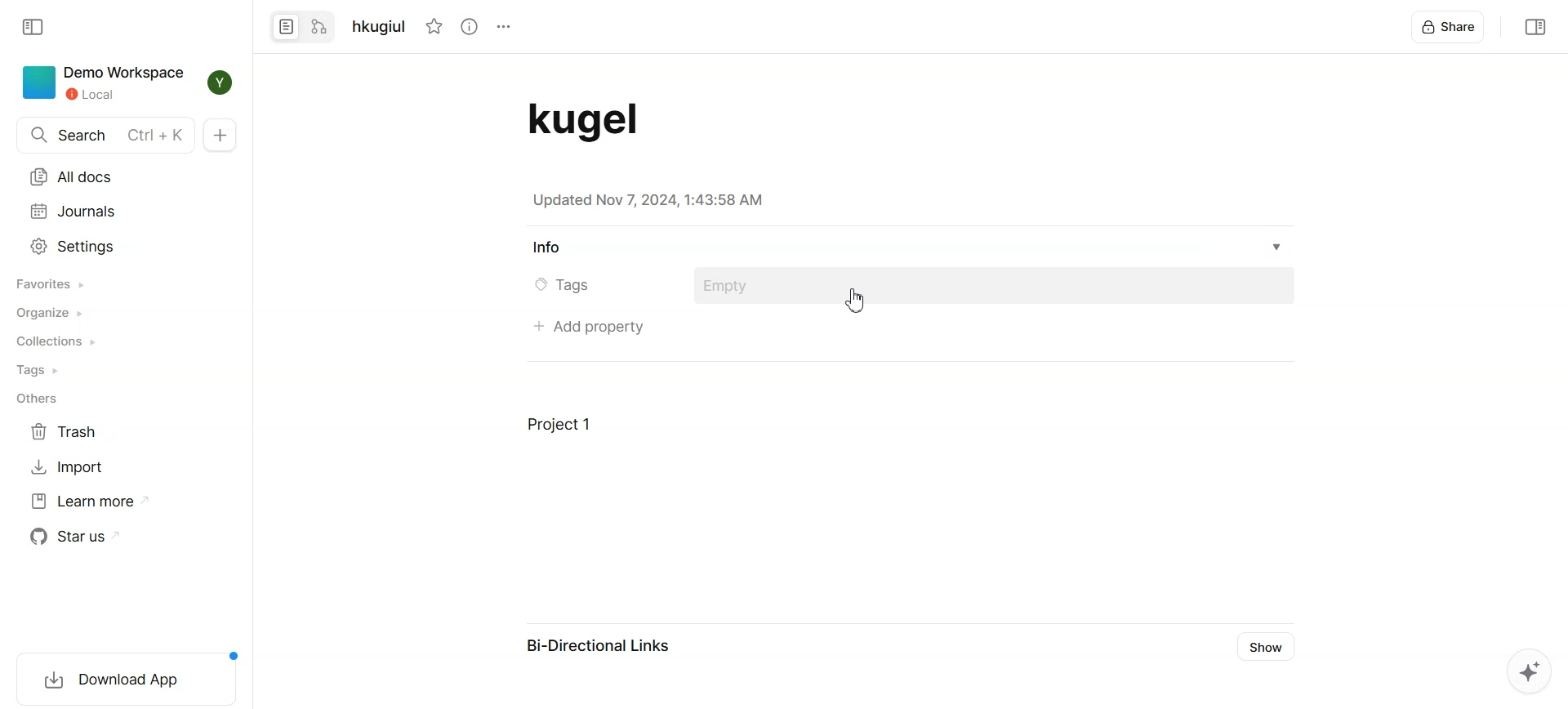 The height and width of the screenshot is (709, 1568). Describe the element at coordinates (590, 326) in the screenshot. I see `Add properties` at that location.